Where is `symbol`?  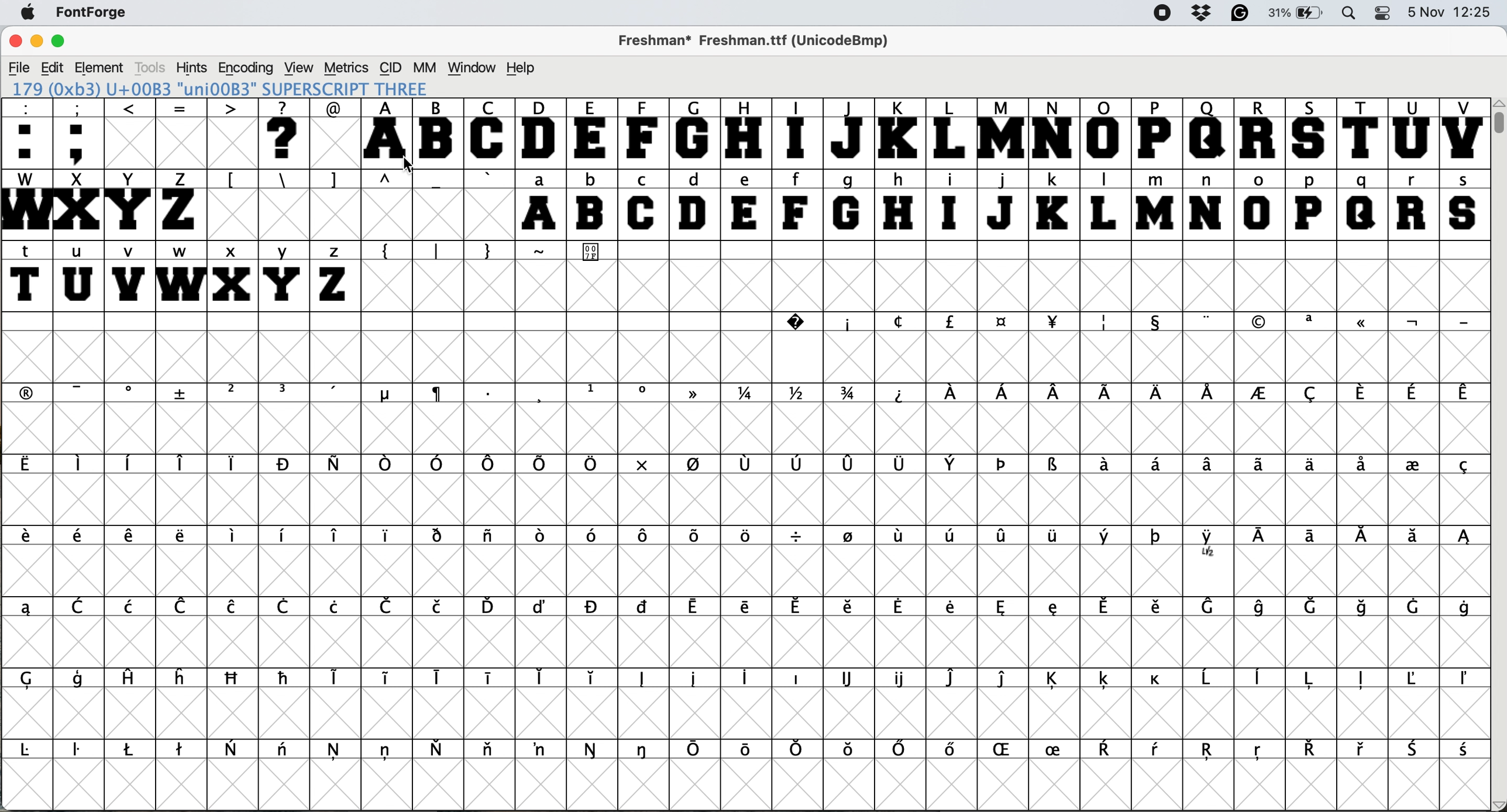 symbol is located at coordinates (850, 465).